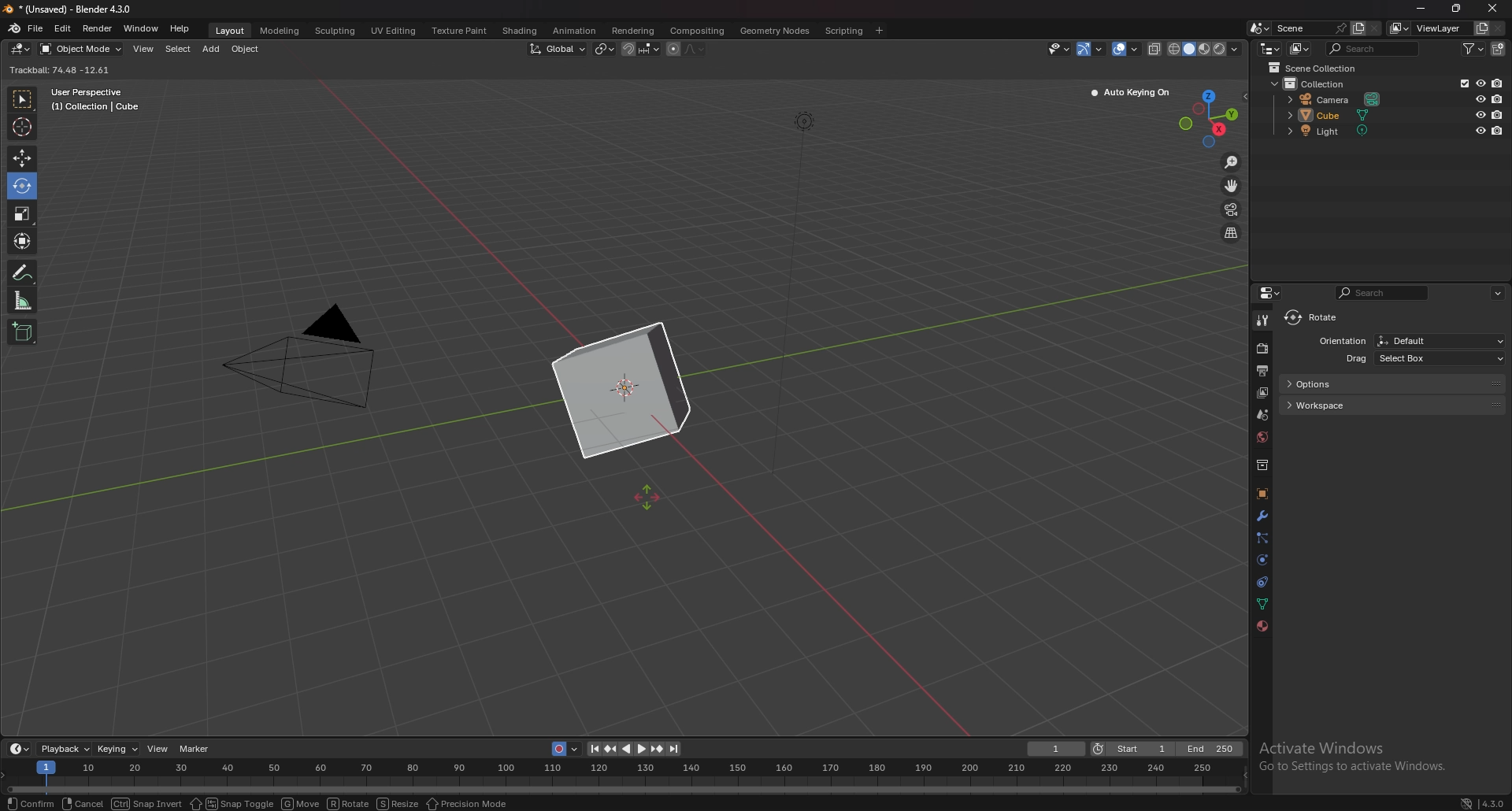 The image size is (1512, 811). What do you see at coordinates (1482, 114) in the screenshot?
I see `hide in view port` at bounding box center [1482, 114].